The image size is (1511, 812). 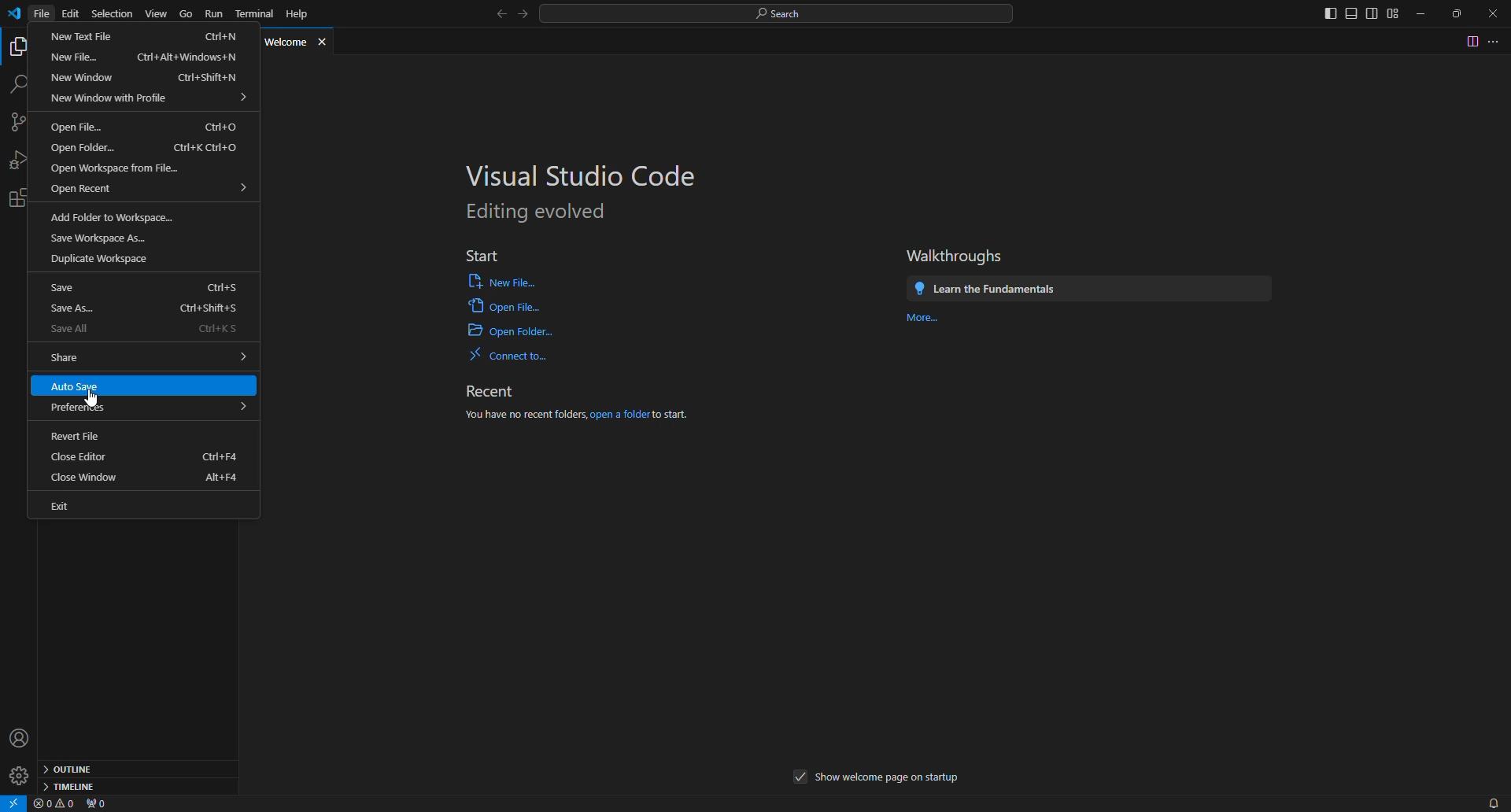 I want to click on ctrl+o, so click(x=220, y=128).